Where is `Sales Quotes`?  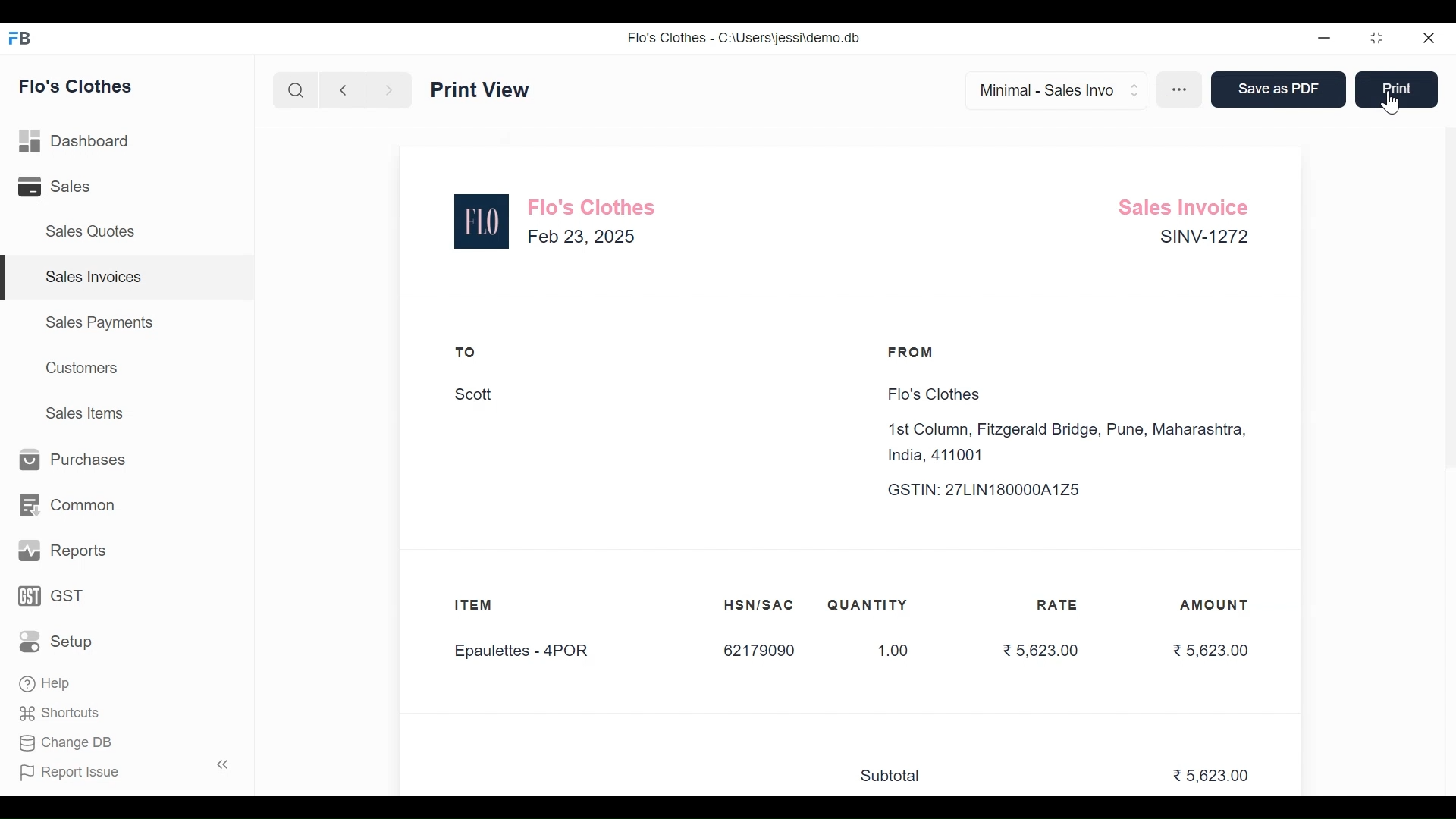
Sales Quotes is located at coordinates (96, 231).